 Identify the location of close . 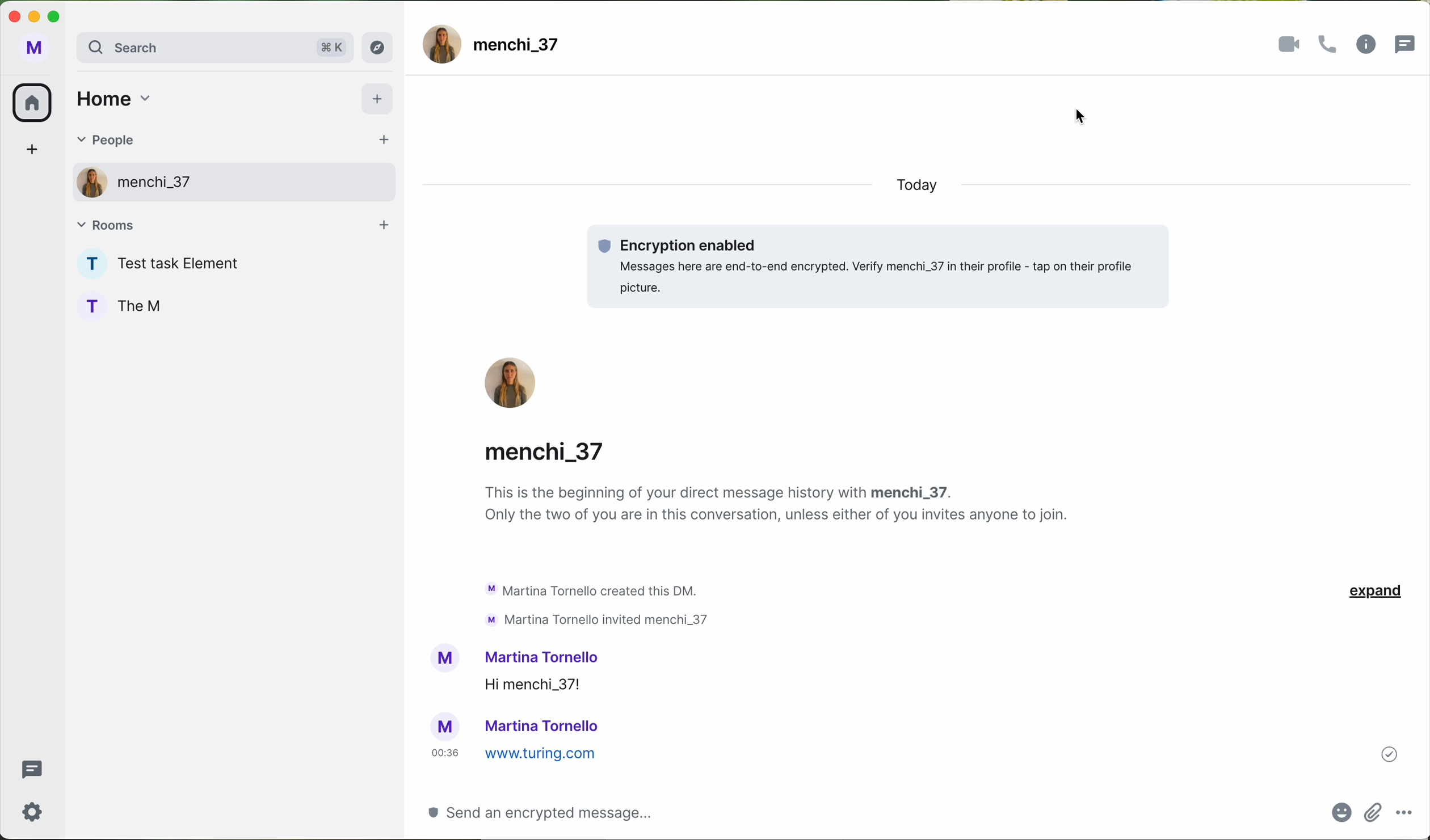
(12, 15).